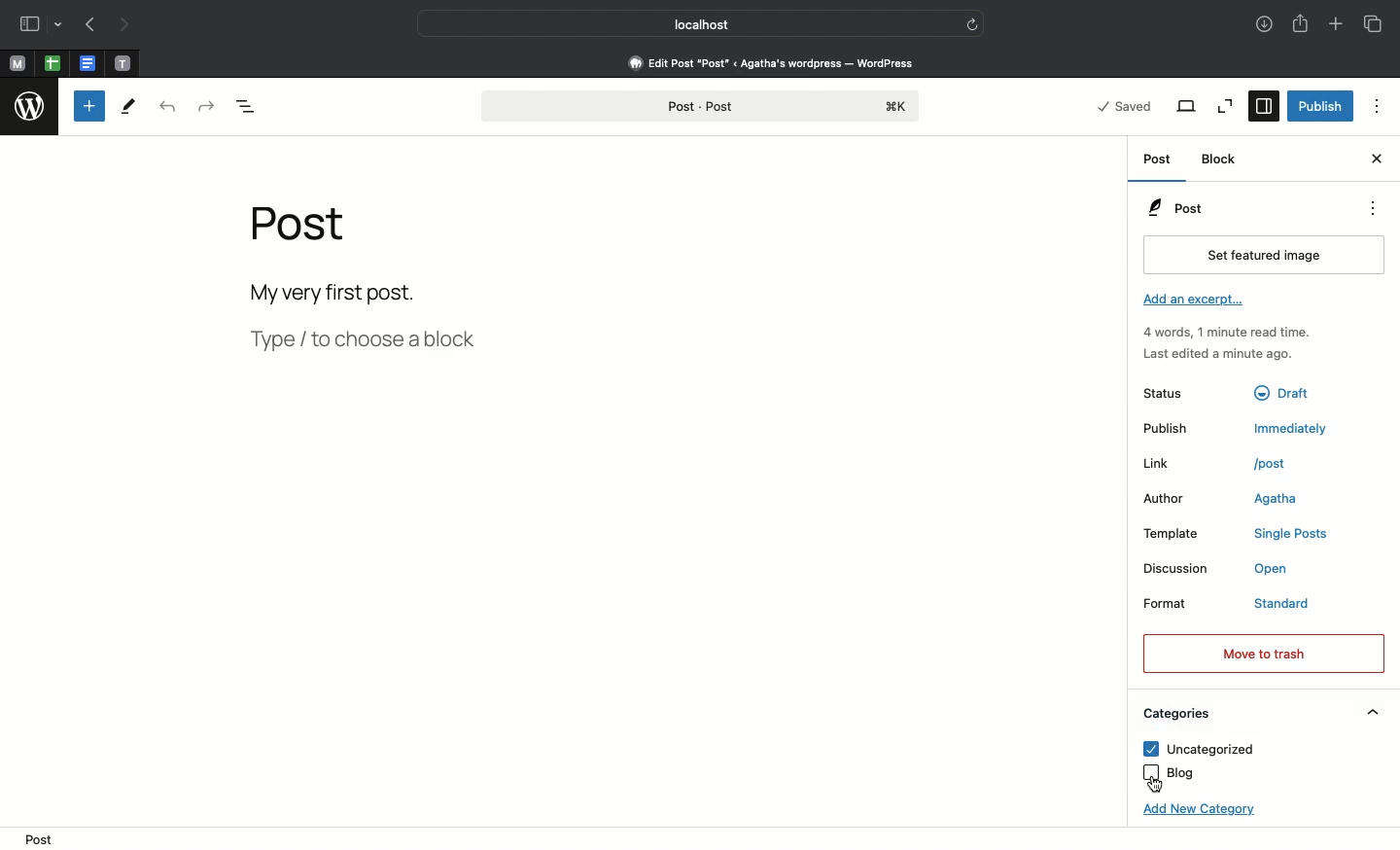 The image size is (1400, 850). I want to click on Pinned tab, so click(17, 65).